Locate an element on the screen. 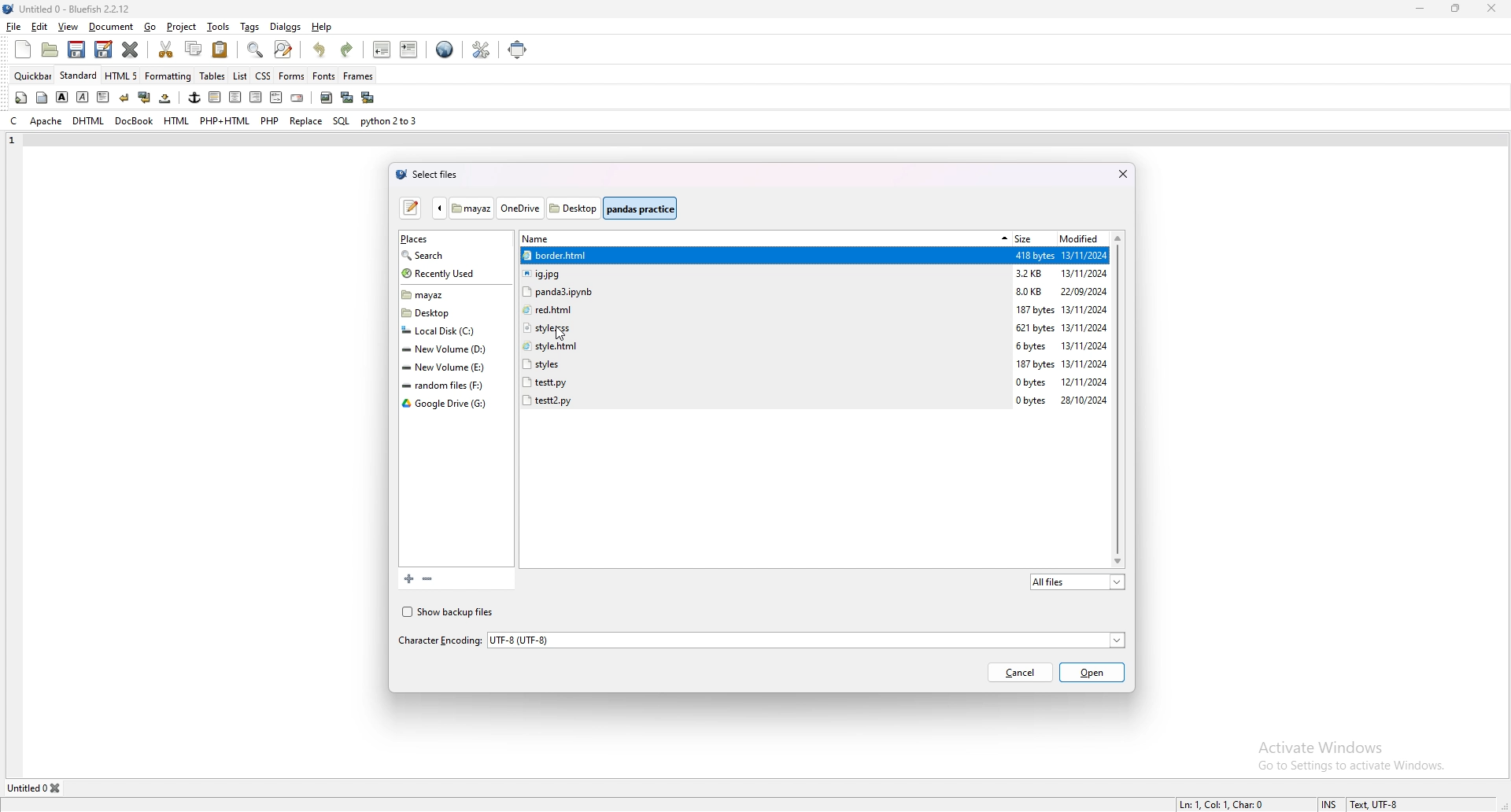 The height and width of the screenshot is (812, 1511). selected file is located at coordinates (765, 256).